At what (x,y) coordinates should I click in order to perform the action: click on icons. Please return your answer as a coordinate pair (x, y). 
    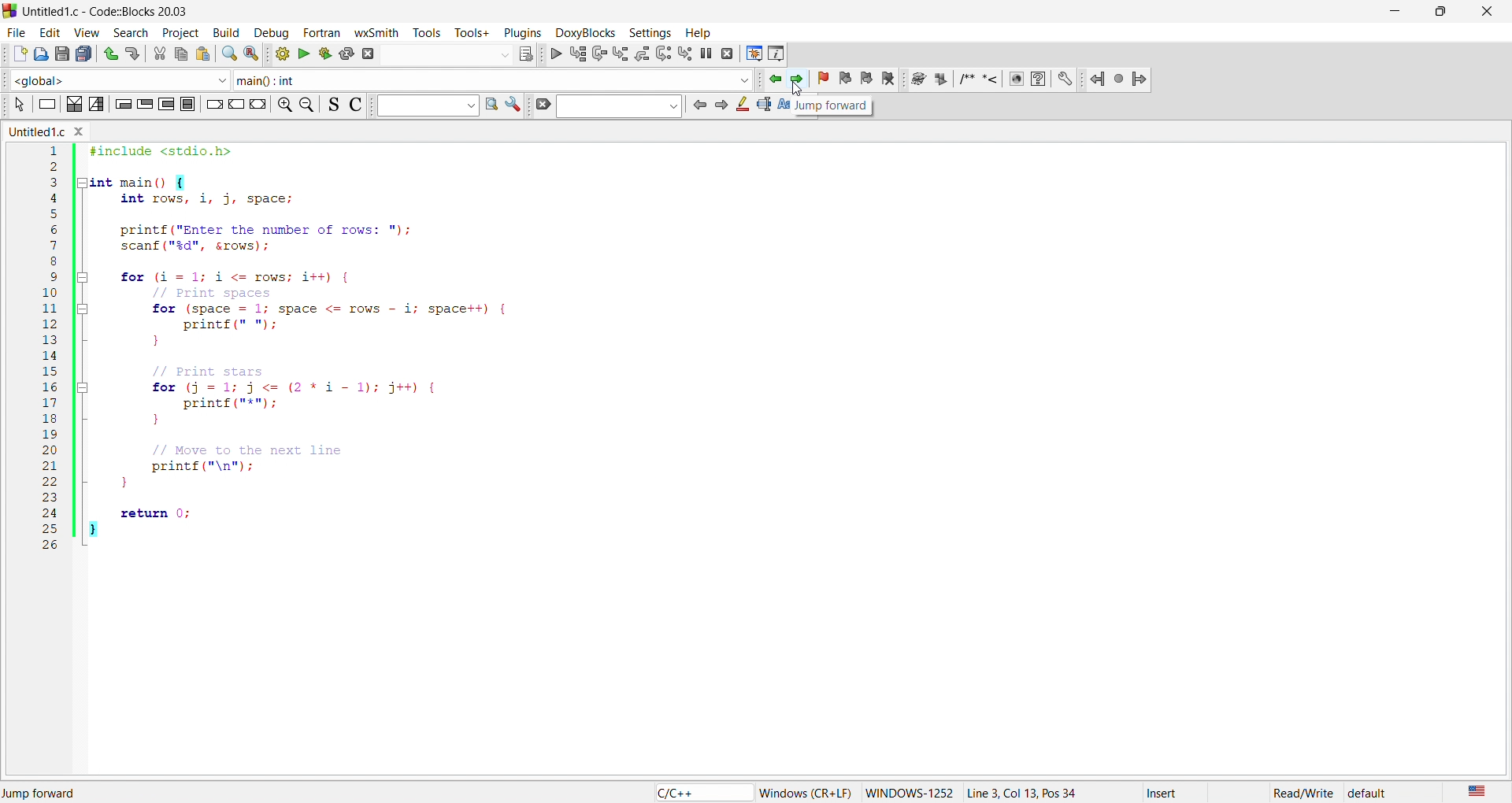
    Looking at the image, I should click on (528, 54).